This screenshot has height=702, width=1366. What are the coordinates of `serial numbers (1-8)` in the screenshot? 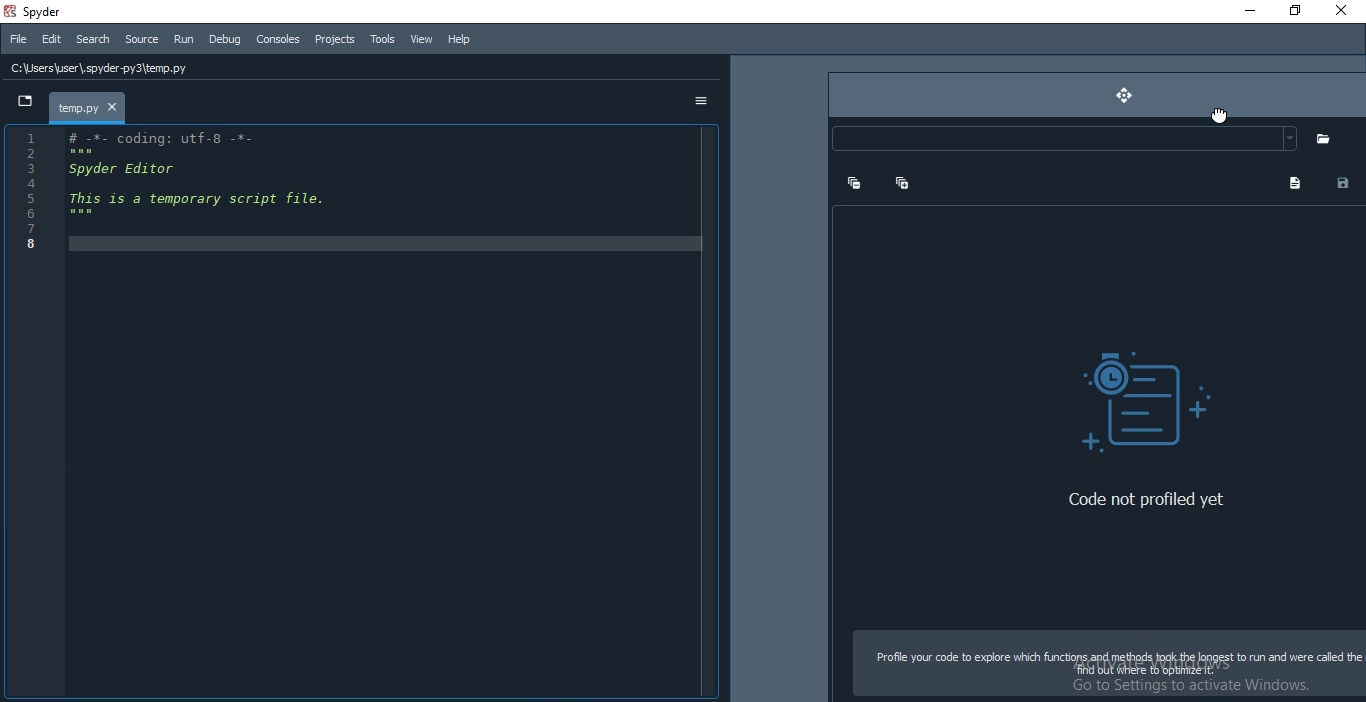 It's located at (28, 203).